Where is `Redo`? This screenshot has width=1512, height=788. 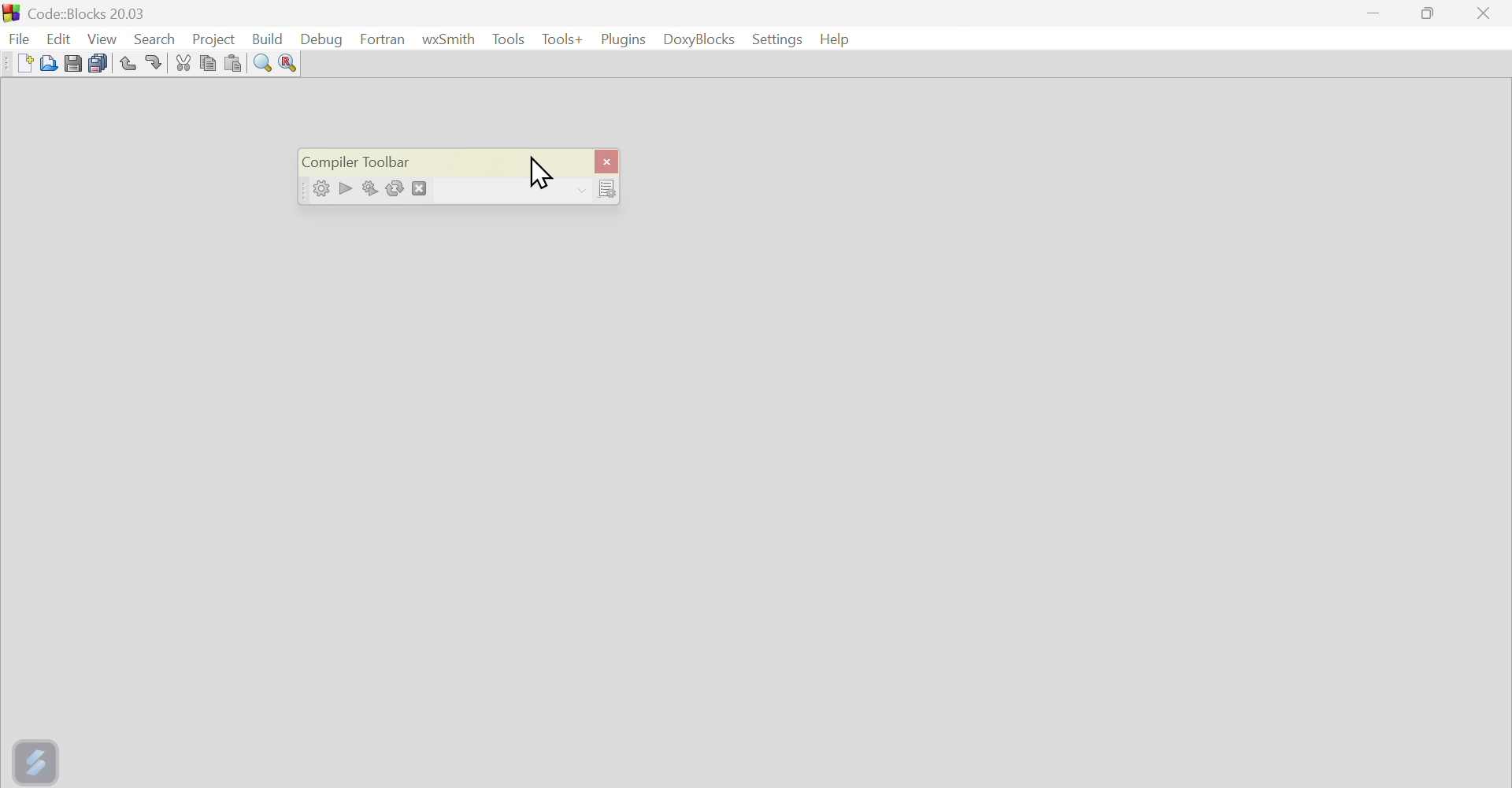
Redo is located at coordinates (159, 61).